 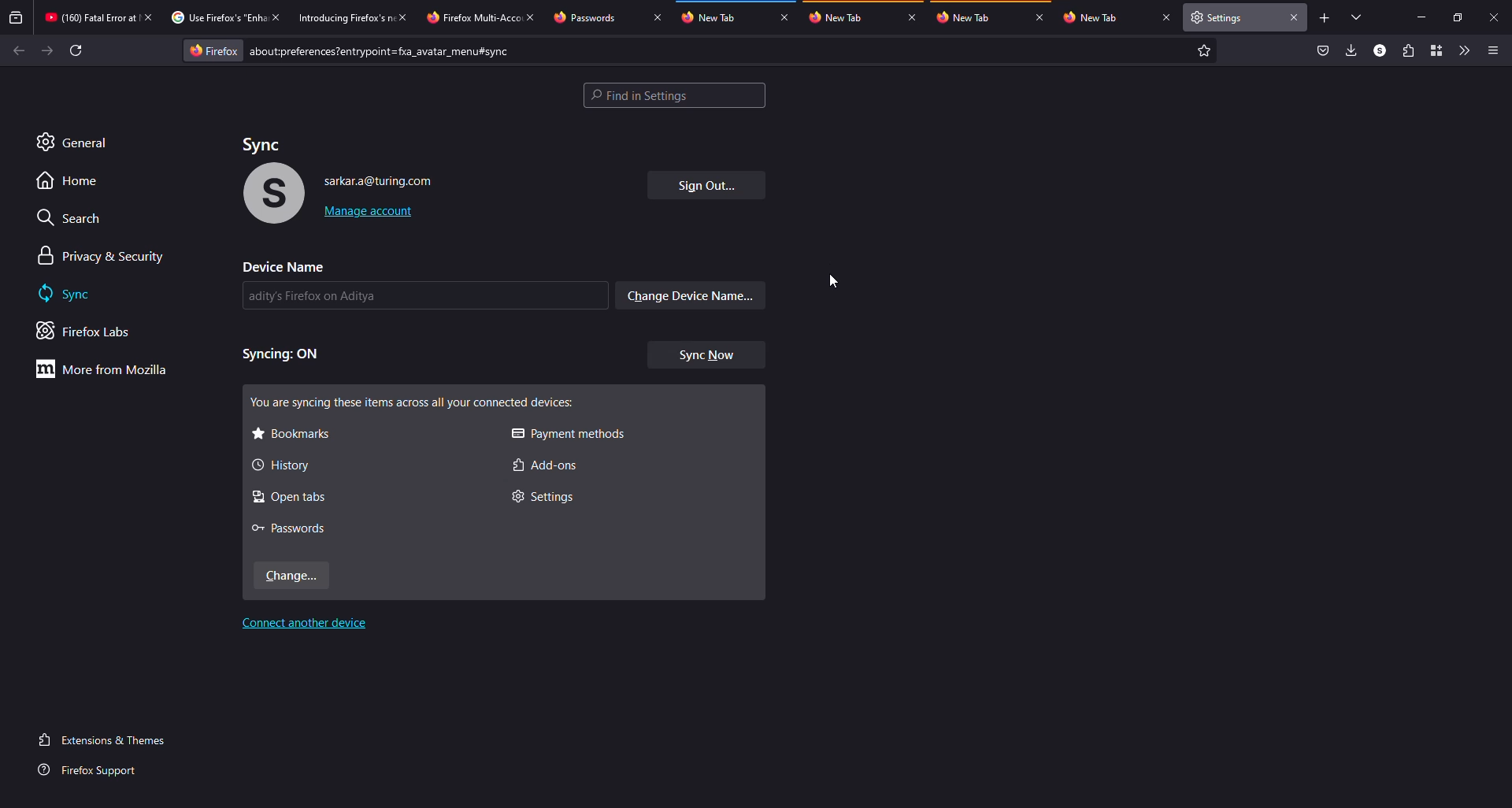 What do you see at coordinates (261, 145) in the screenshot?
I see `sync` at bounding box center [261, 145].